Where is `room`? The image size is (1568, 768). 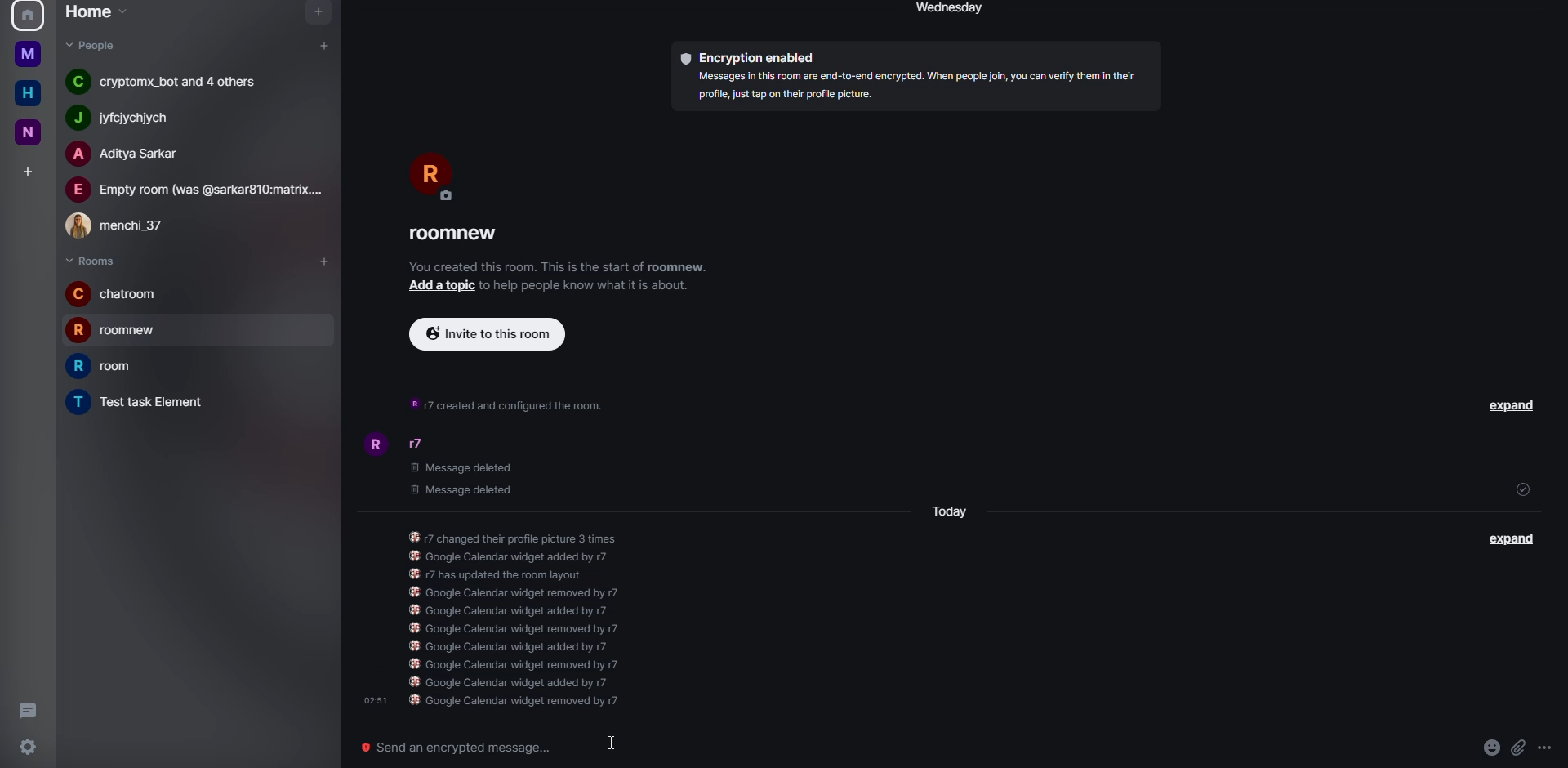 room is located at coordinates (109, 368).